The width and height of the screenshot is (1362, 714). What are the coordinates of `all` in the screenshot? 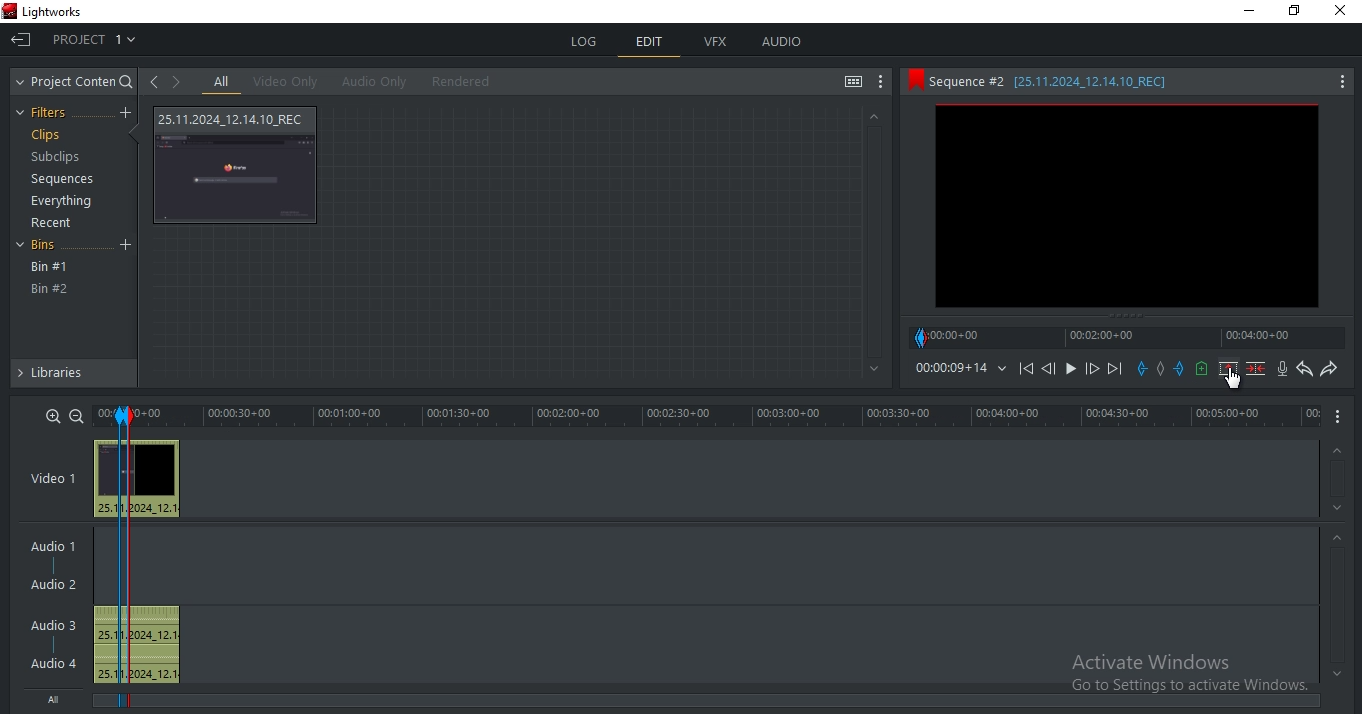 It's located at (222, 82).